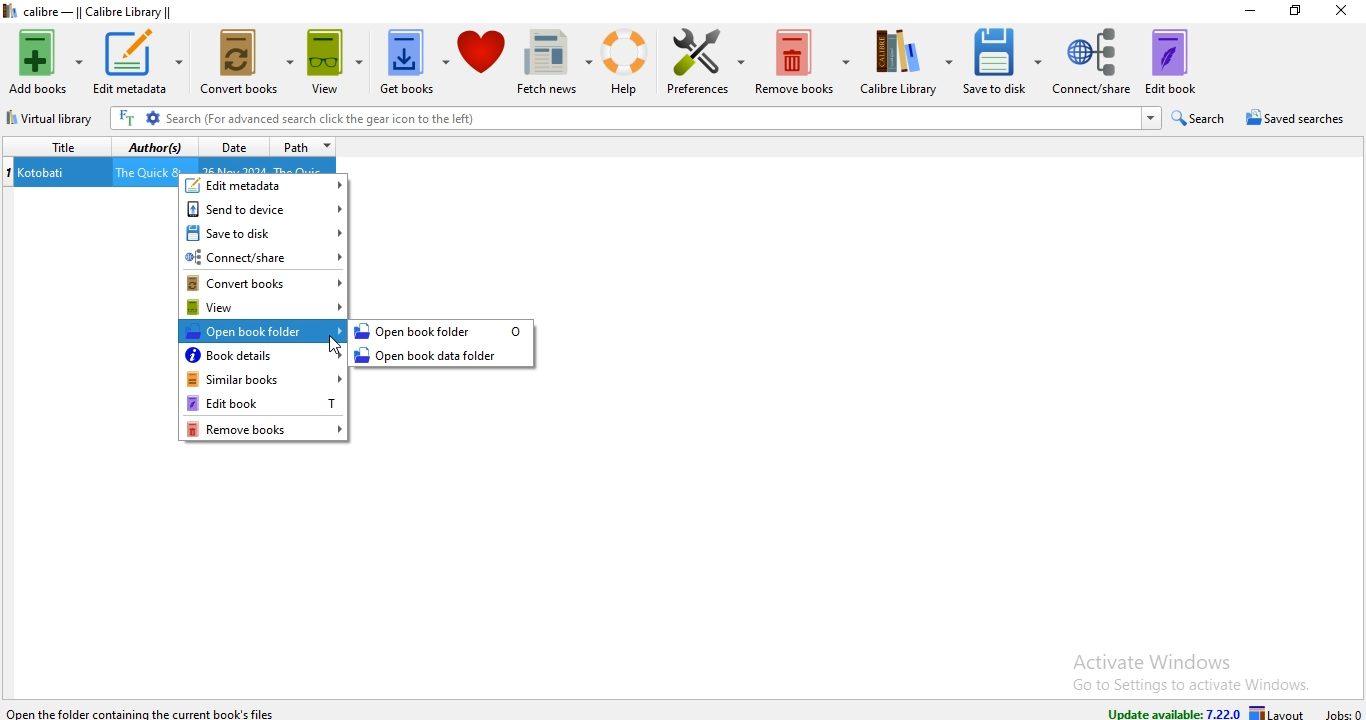 Image resolution: width=1366 pixels, height=720 pixels. Describe the element at coordinates (339, 348) in the screenshot. I see `Cursor` at that location.